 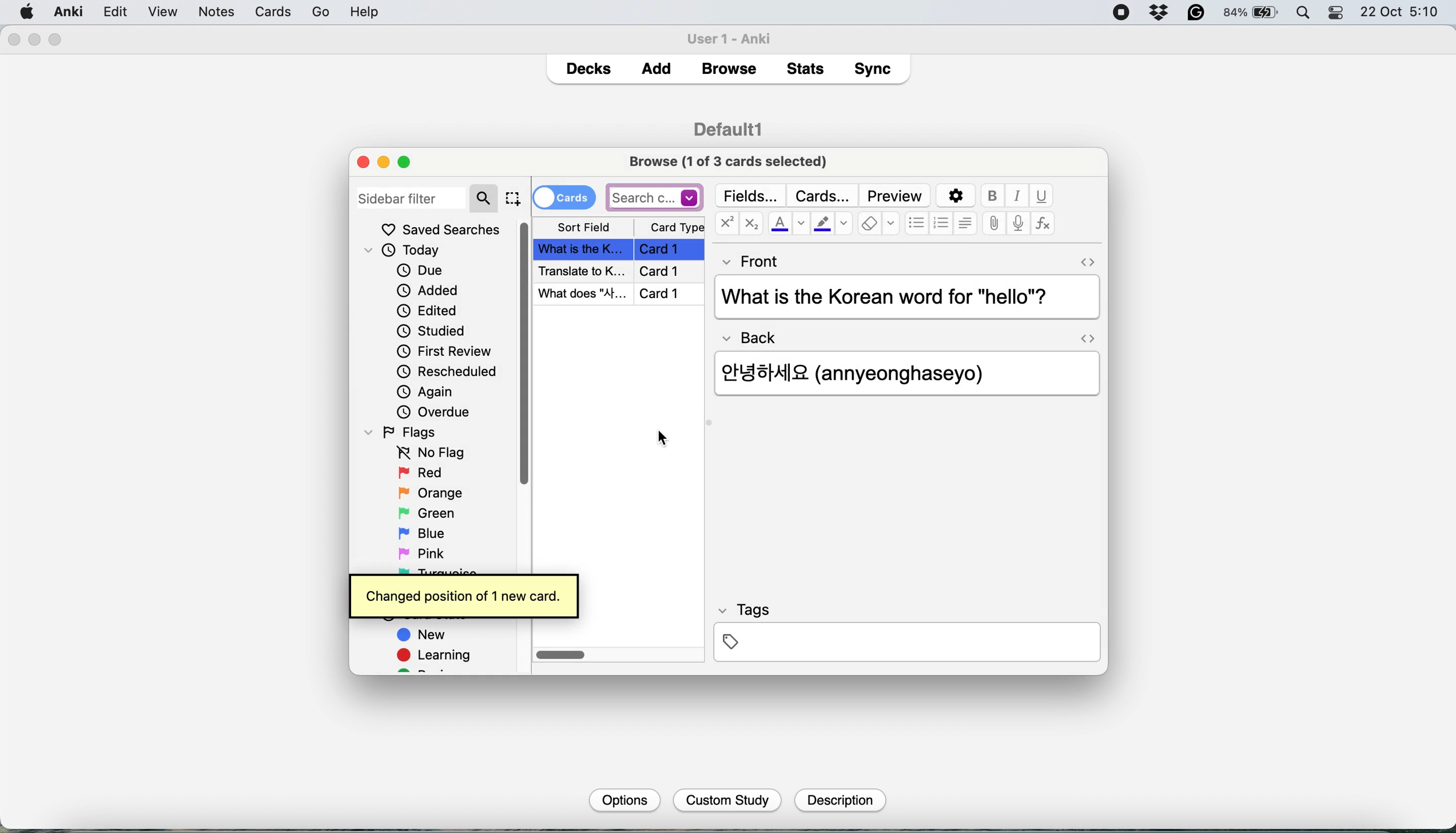 What do you see at coordinates (917, 224) in the screenshot?
I see `bullet list` at bounding box center [917, 224].